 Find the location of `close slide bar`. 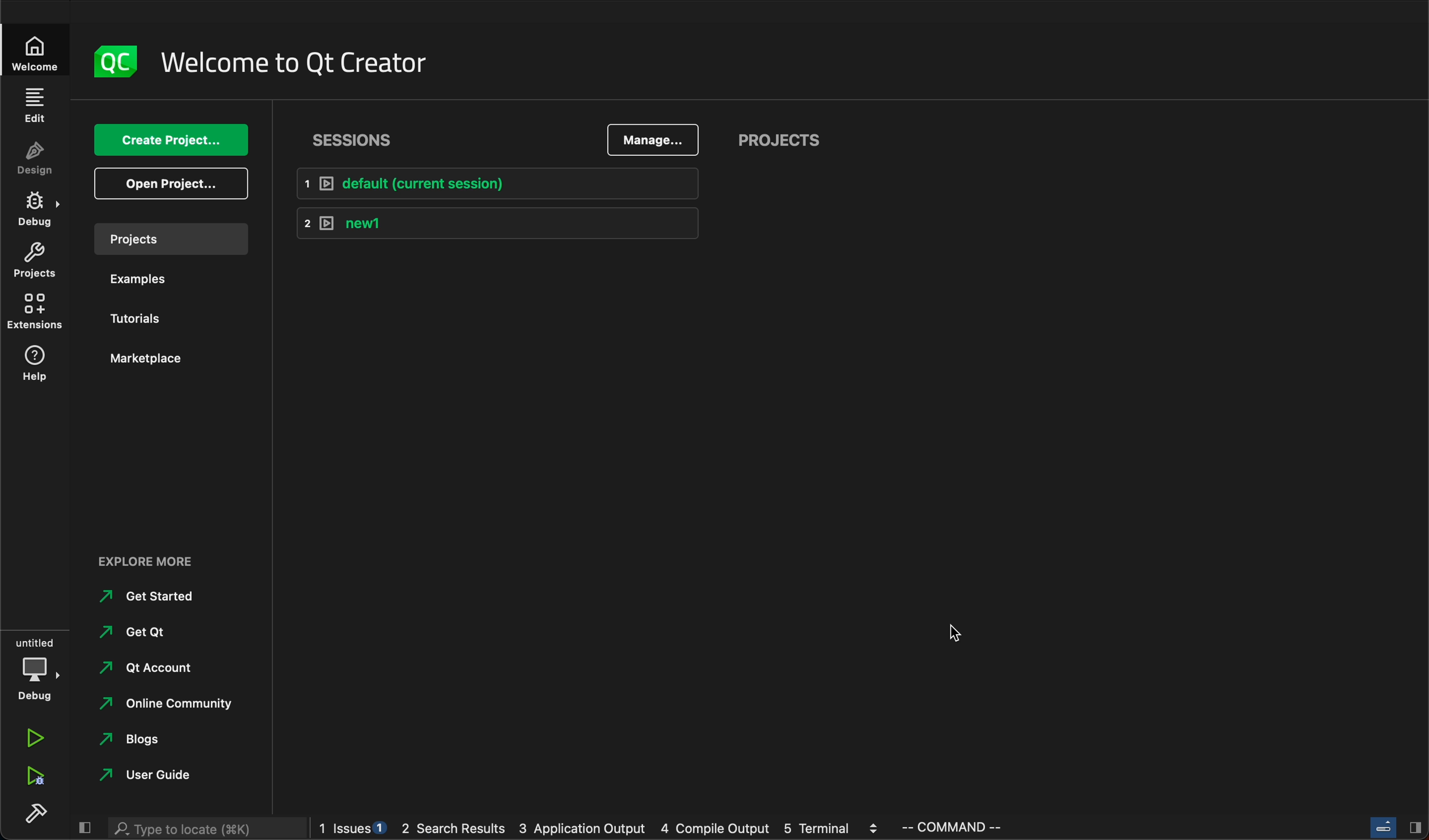

close slide bar is located at coordinates (1390, 828).